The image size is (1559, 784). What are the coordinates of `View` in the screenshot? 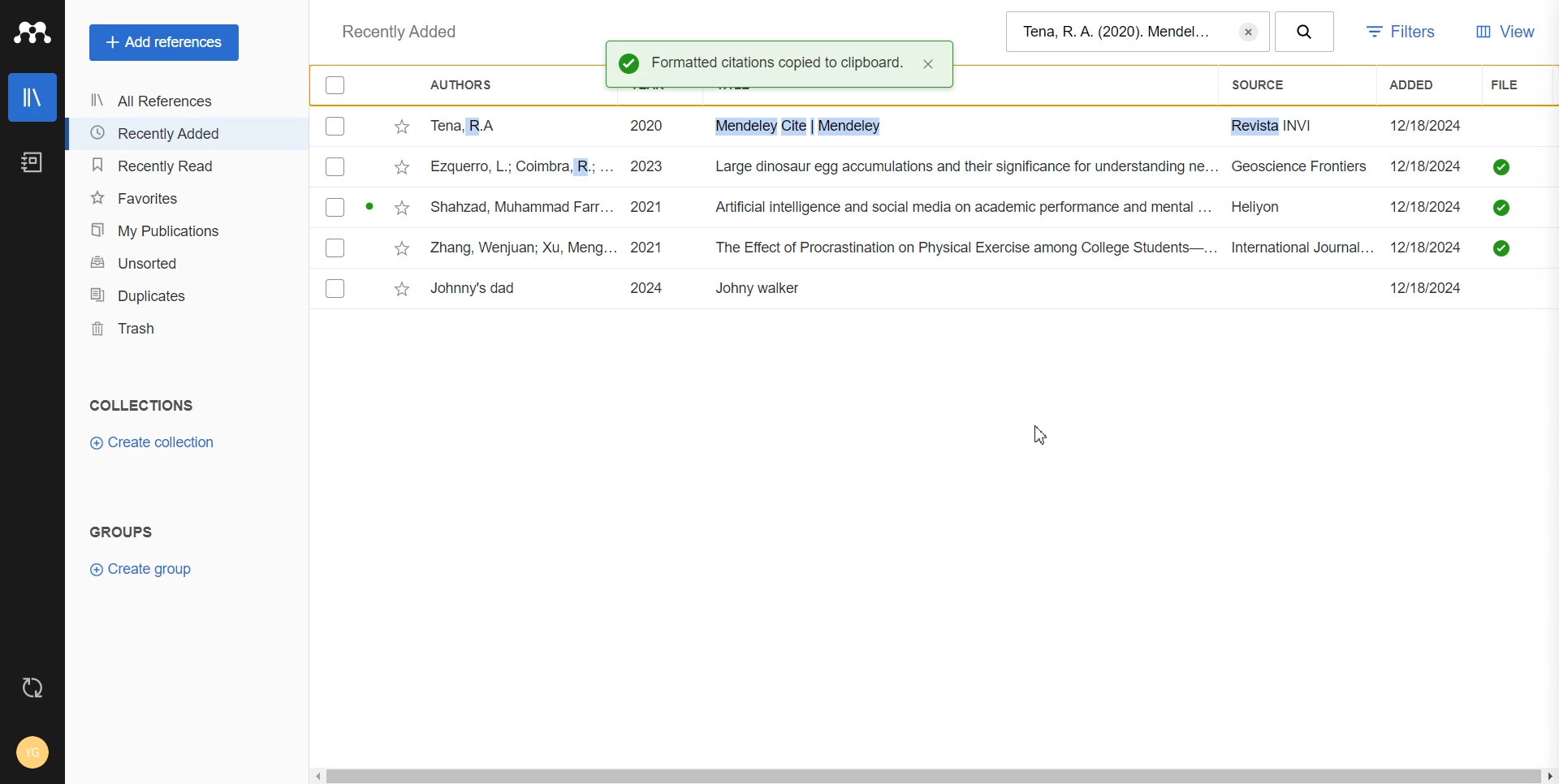 It's located at (1507, 33).